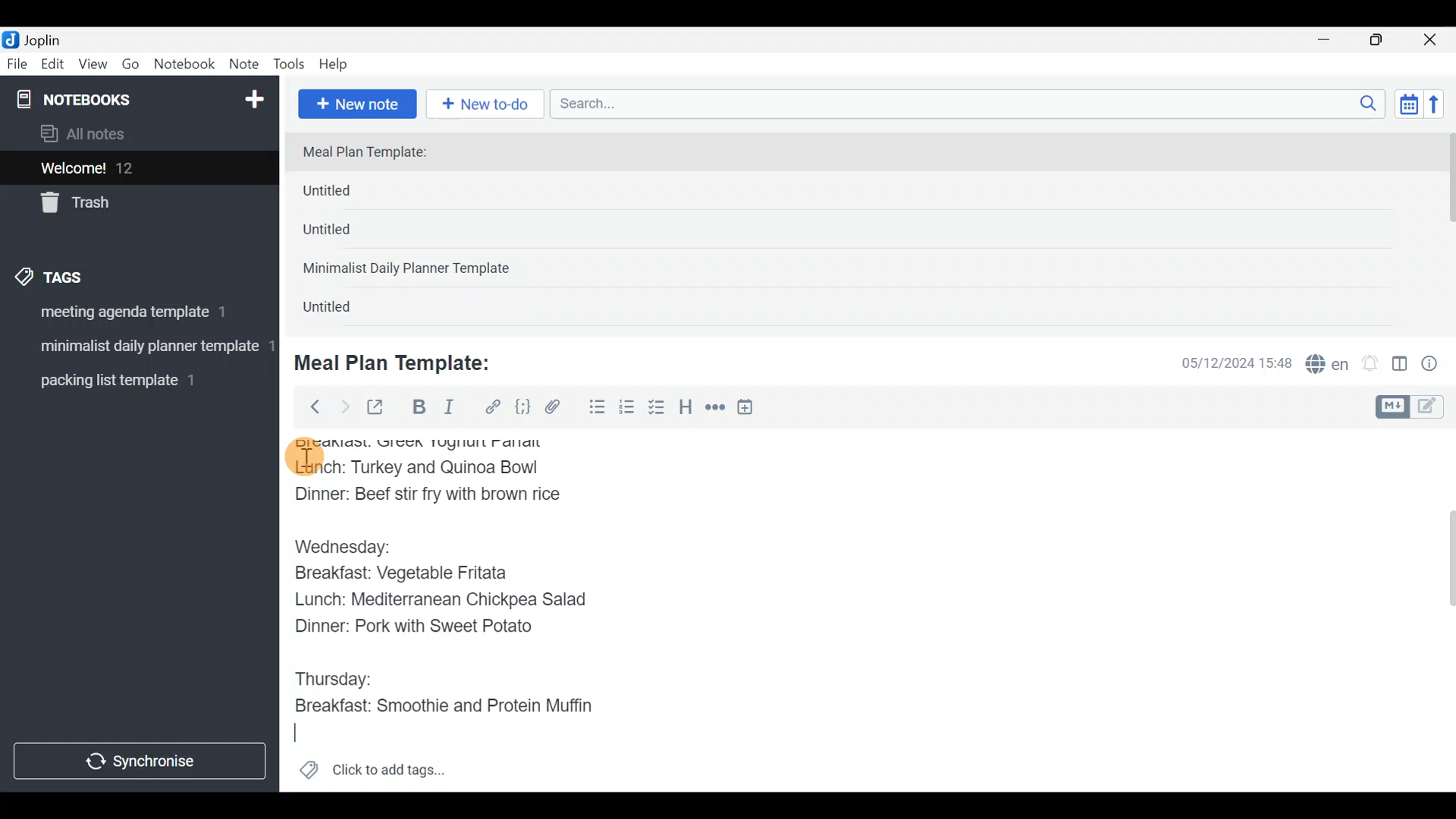 The width and height of the screenshot is (1456, 819). I want to click on Italic, so click(447, 410).